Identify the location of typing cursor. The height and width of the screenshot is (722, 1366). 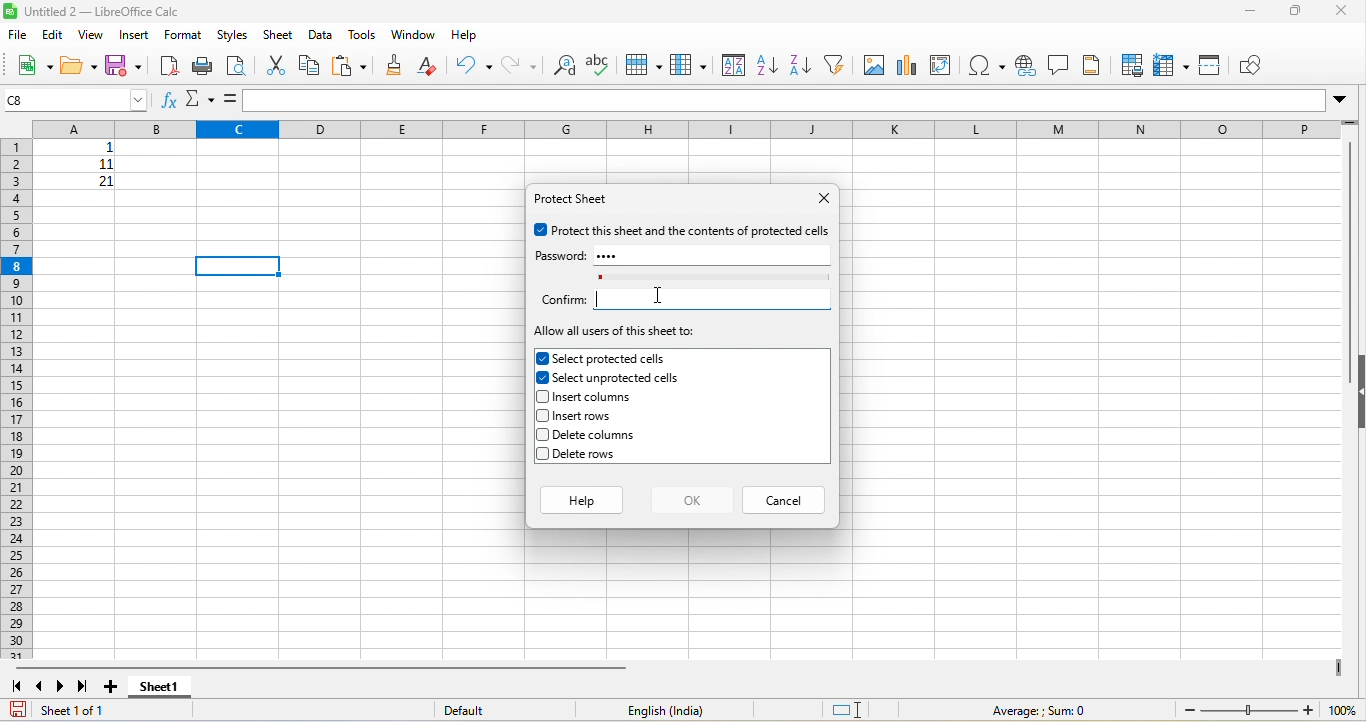
(603, 302).